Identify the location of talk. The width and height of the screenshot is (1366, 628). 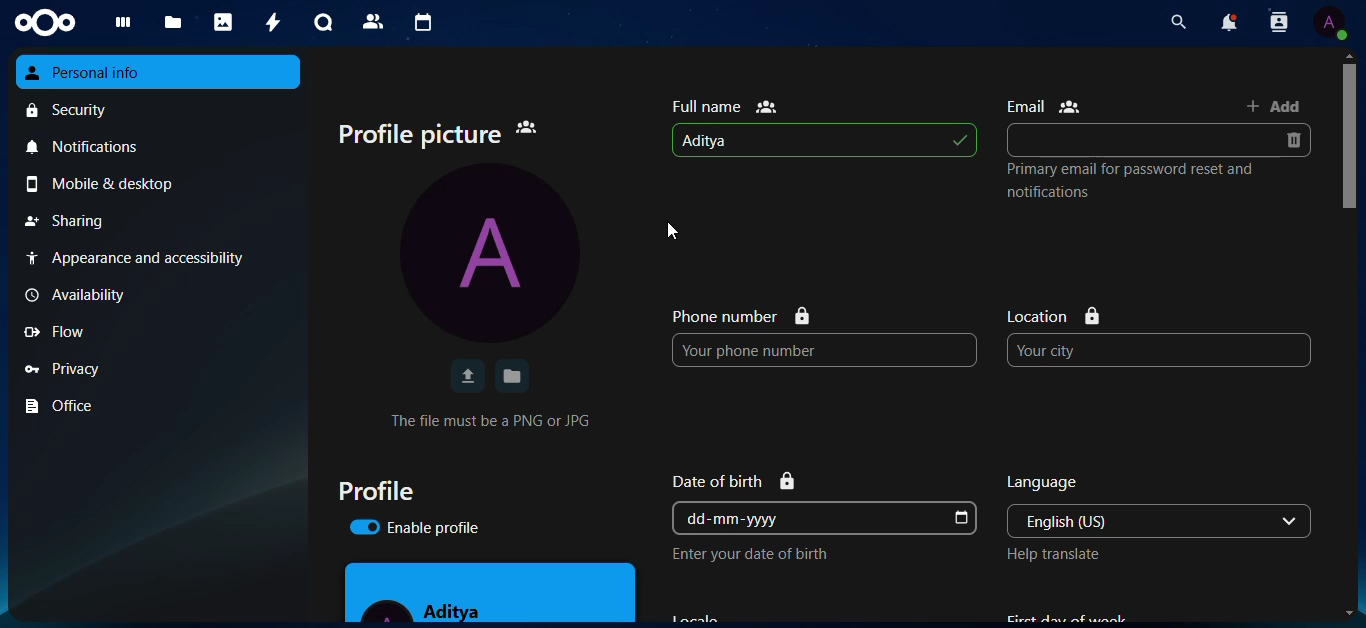
(320, 23).